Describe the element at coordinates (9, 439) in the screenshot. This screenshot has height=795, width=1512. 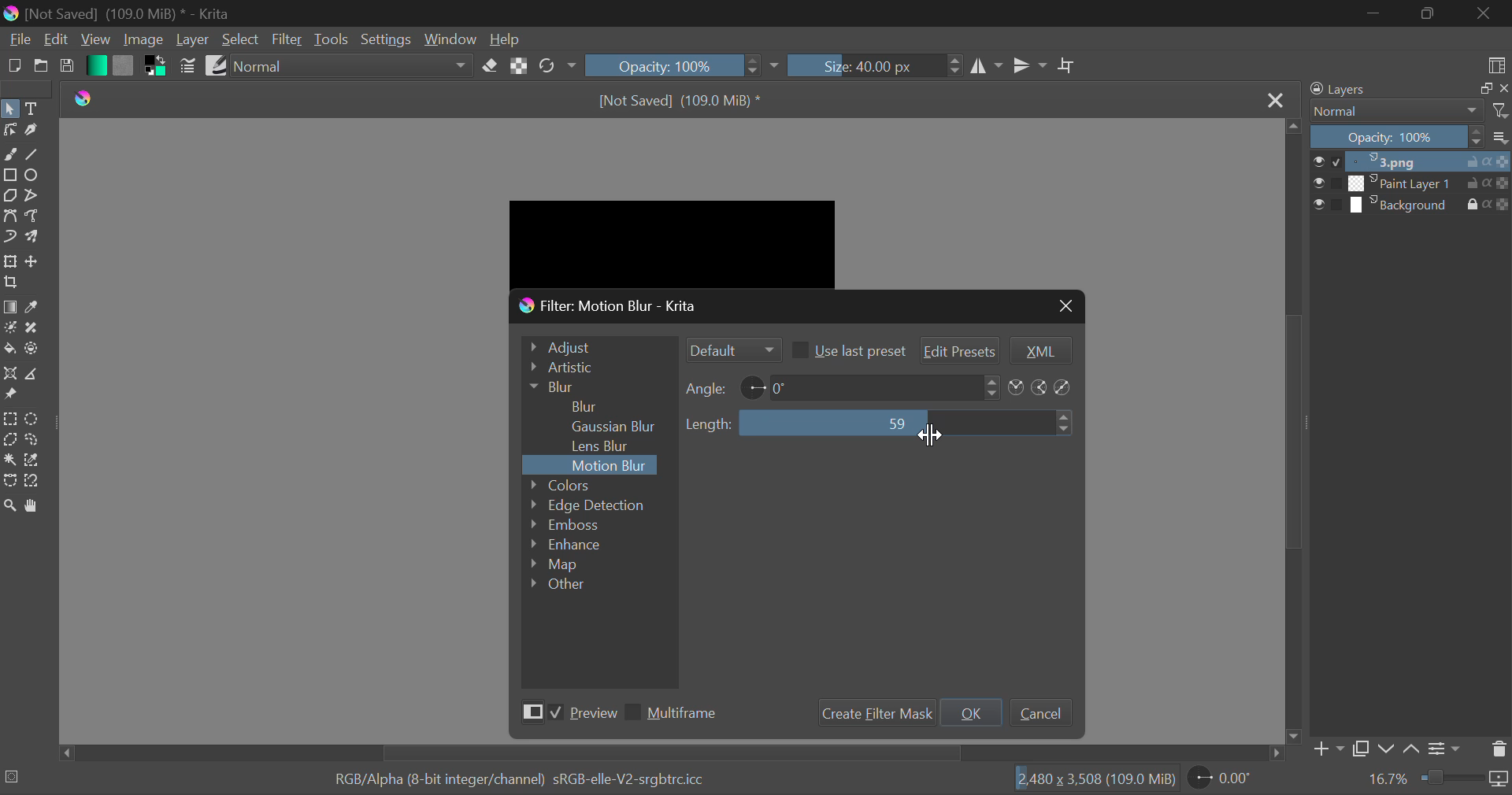
I see `Polygon Selection Tool` at that location.